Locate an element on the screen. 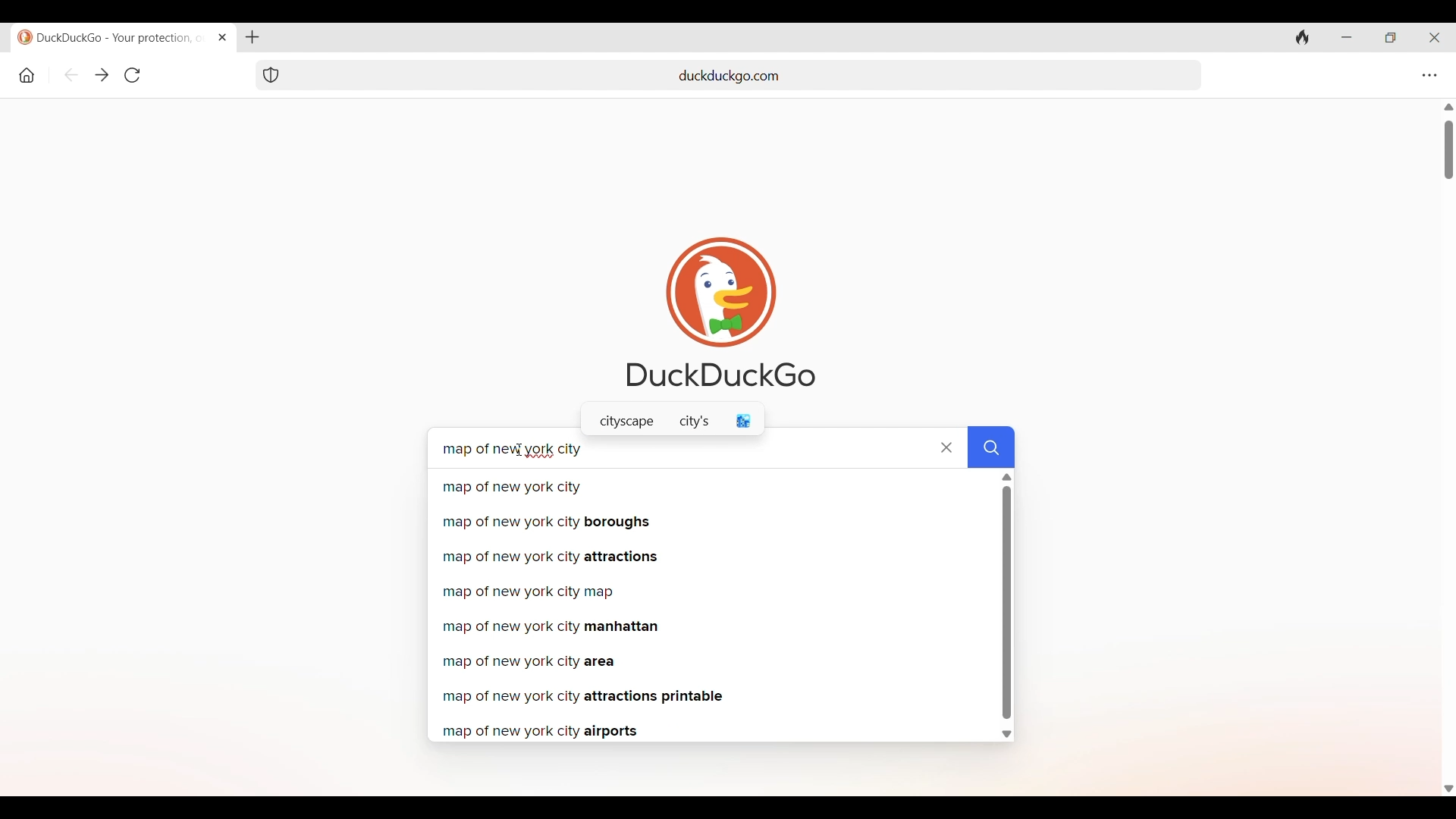 This screenshot has width=1456, height=819. Browser settings is located at coordinates (1429, 76).